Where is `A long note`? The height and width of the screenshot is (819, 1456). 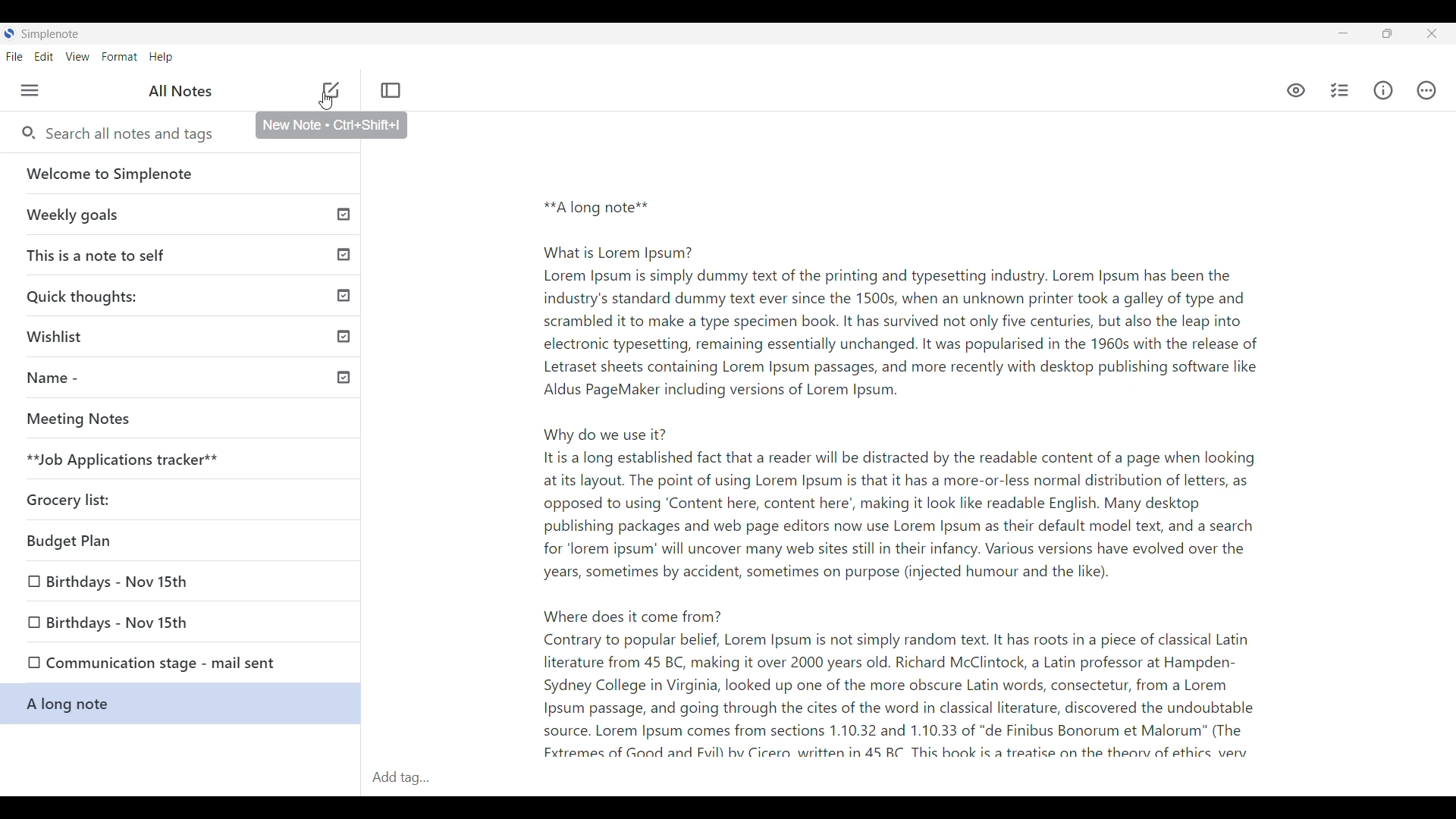
A long note is located at coordinates (180, 706).